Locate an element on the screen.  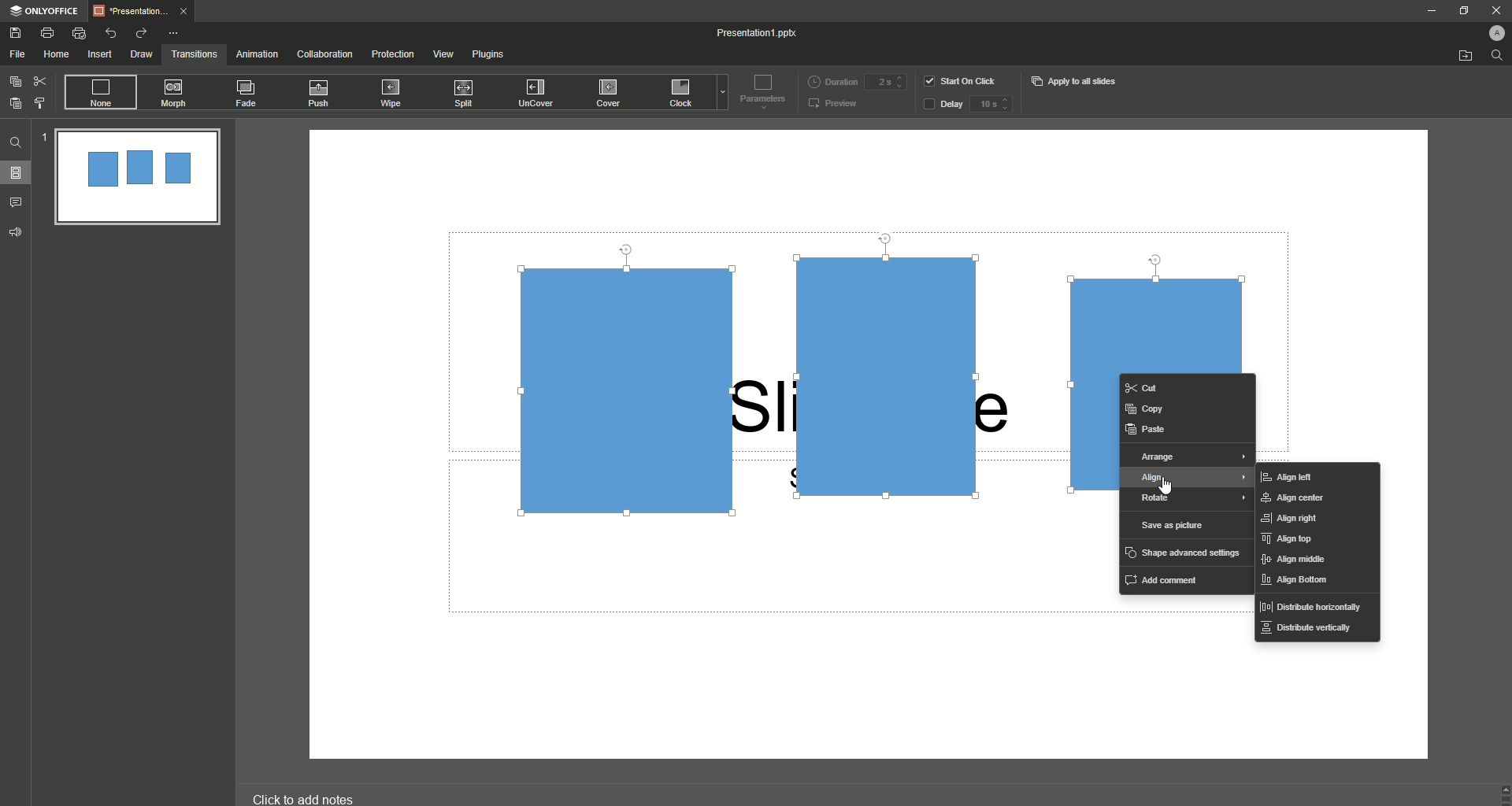
Copy is located at coordinates (15, 81).